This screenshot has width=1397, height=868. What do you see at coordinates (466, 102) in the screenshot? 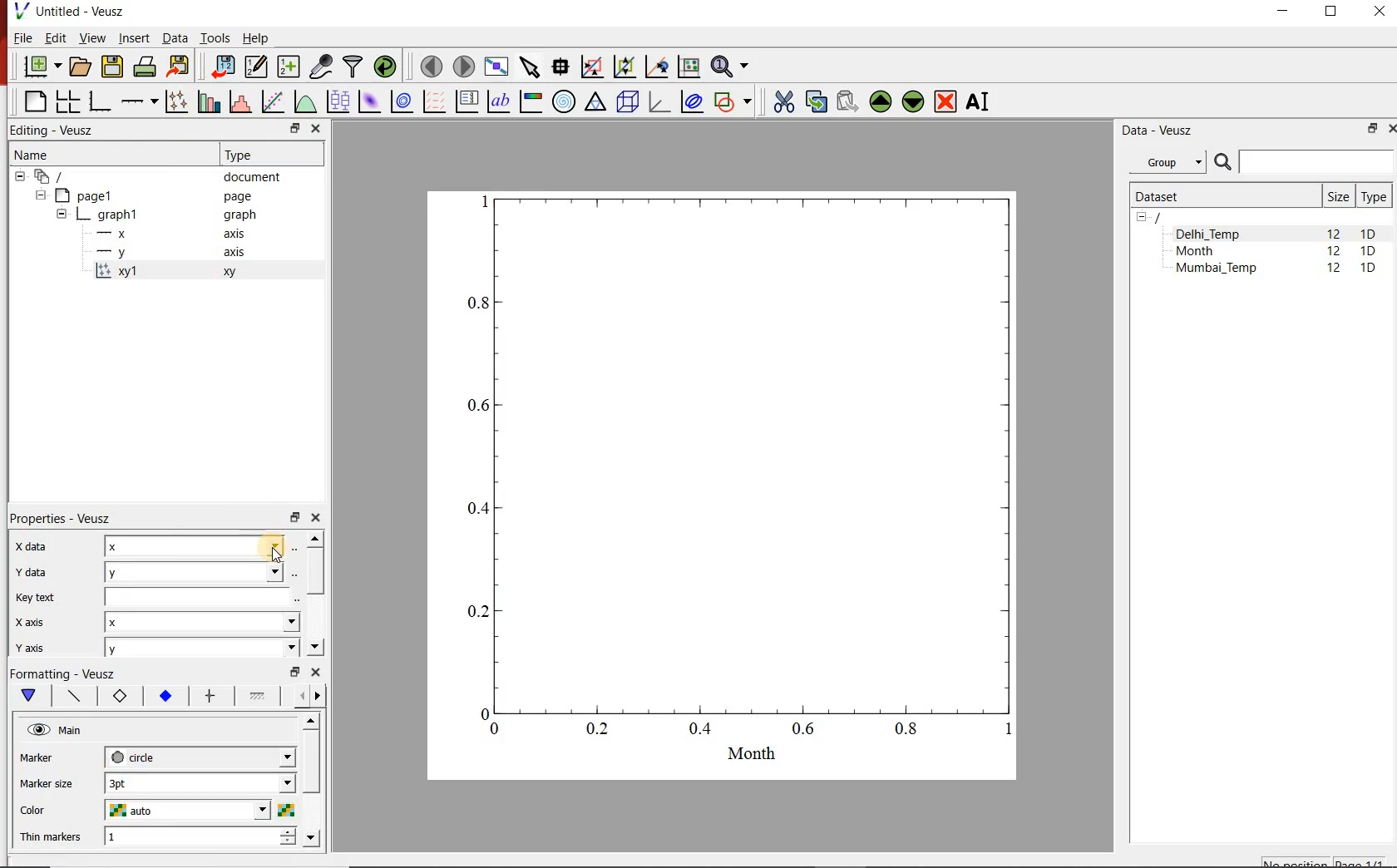
I see `plot key` at bounding box center [466, 102].